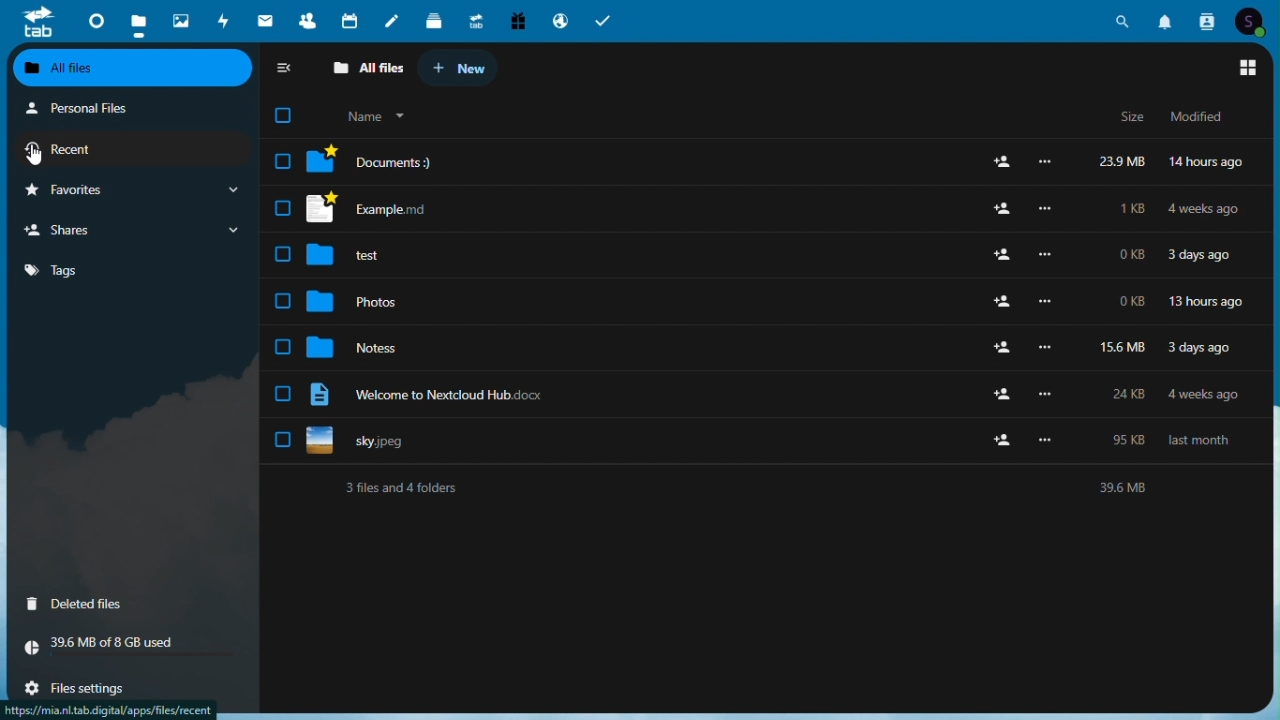  What do you see at coordinates (373, 161) in the screenshot?
I see `documents` at bounding box center [373, 161].